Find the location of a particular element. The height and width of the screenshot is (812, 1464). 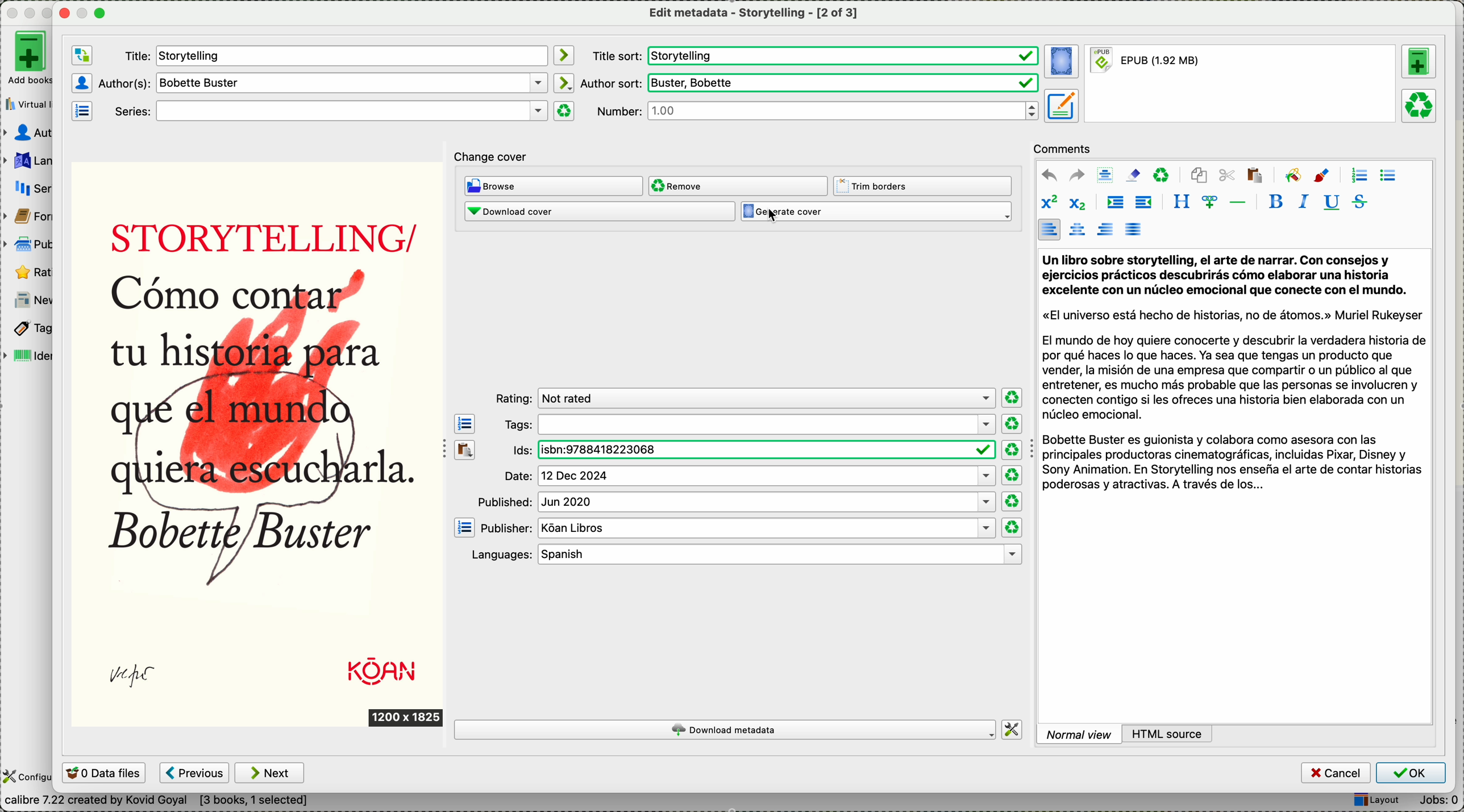

title is located at coordinates (334, 55).